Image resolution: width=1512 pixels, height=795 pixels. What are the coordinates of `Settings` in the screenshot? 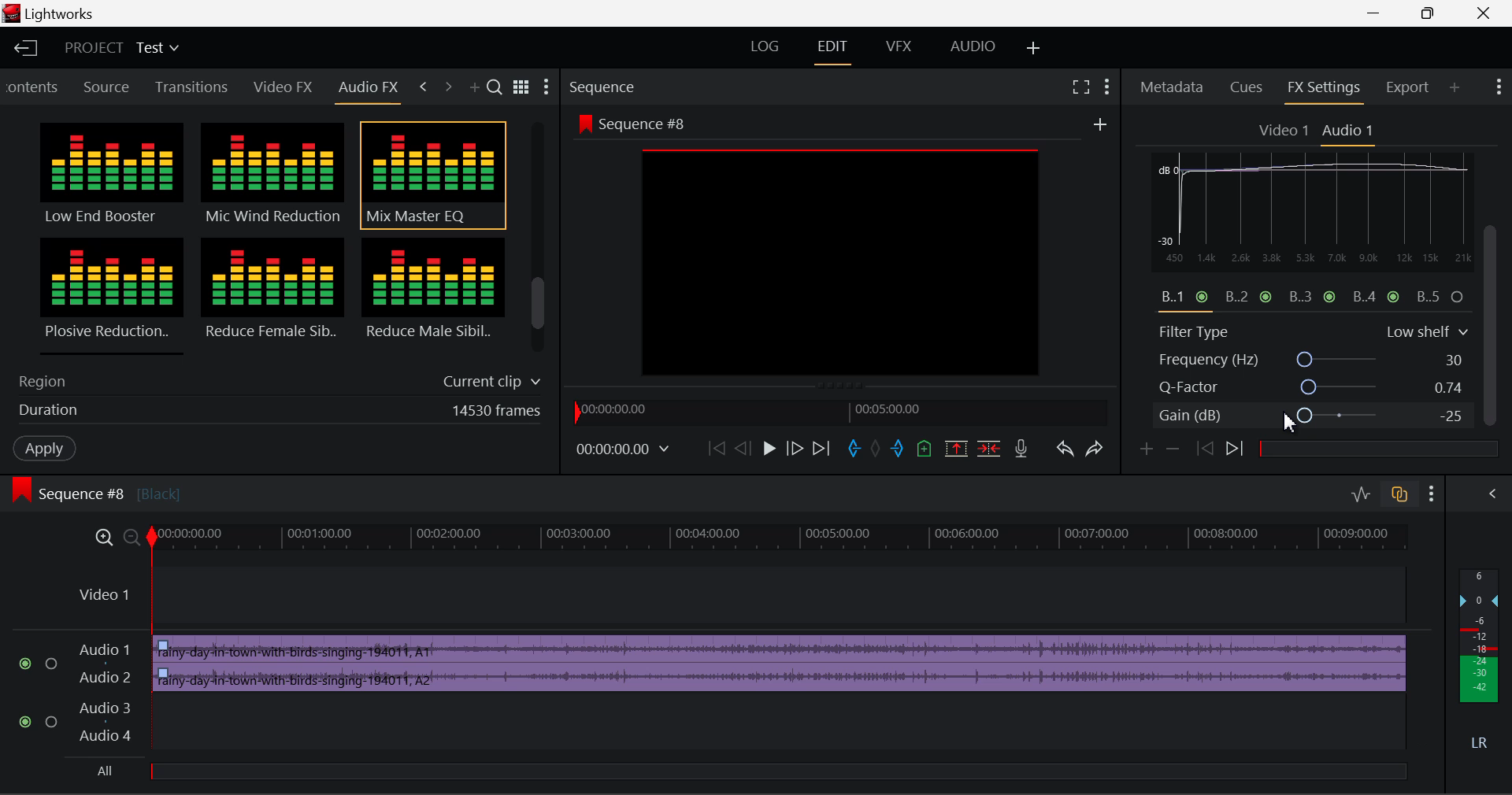 It's located at (547, 89).